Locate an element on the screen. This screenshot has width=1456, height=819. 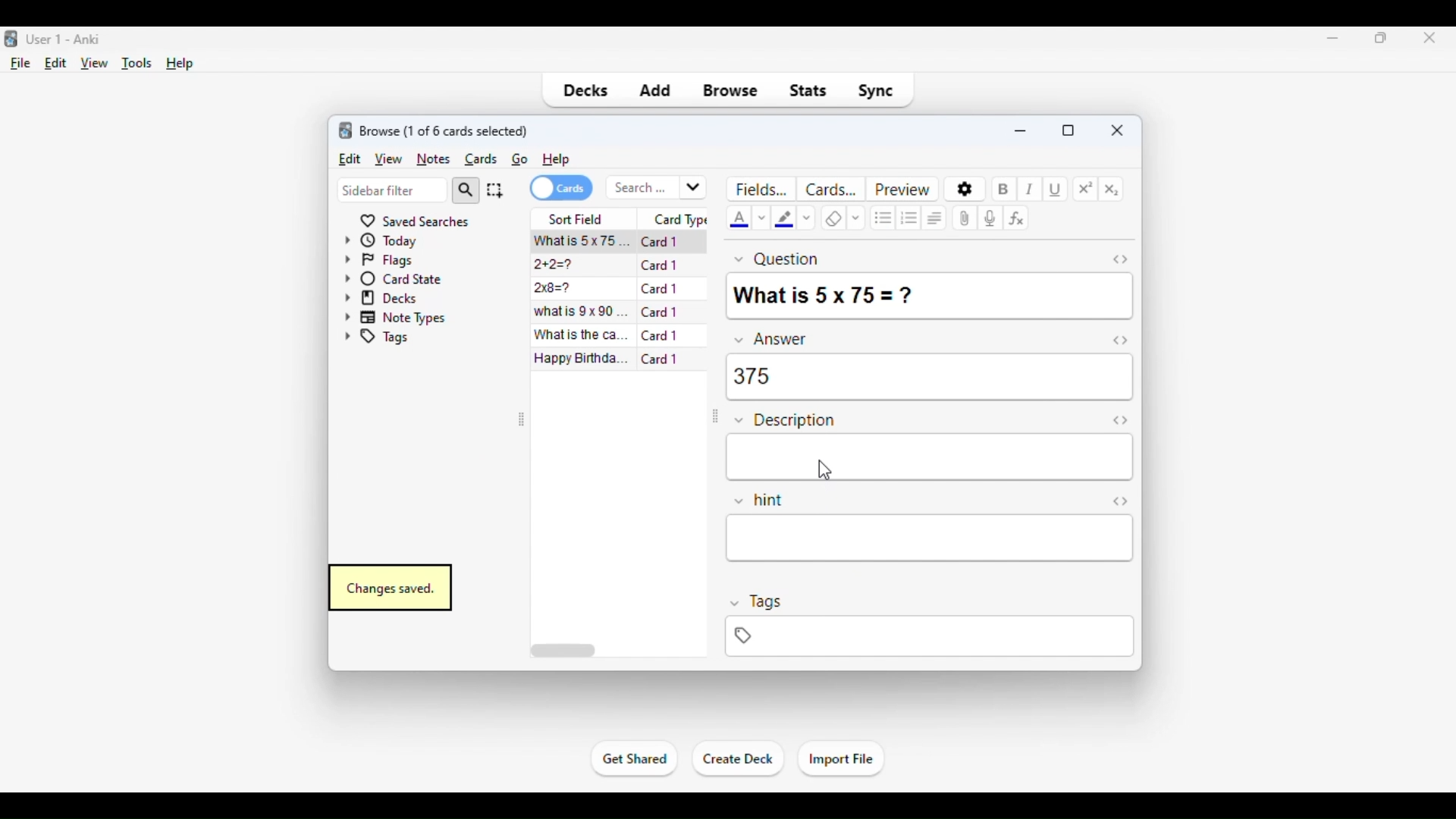
minimize is located at coordinates (1333, 37).